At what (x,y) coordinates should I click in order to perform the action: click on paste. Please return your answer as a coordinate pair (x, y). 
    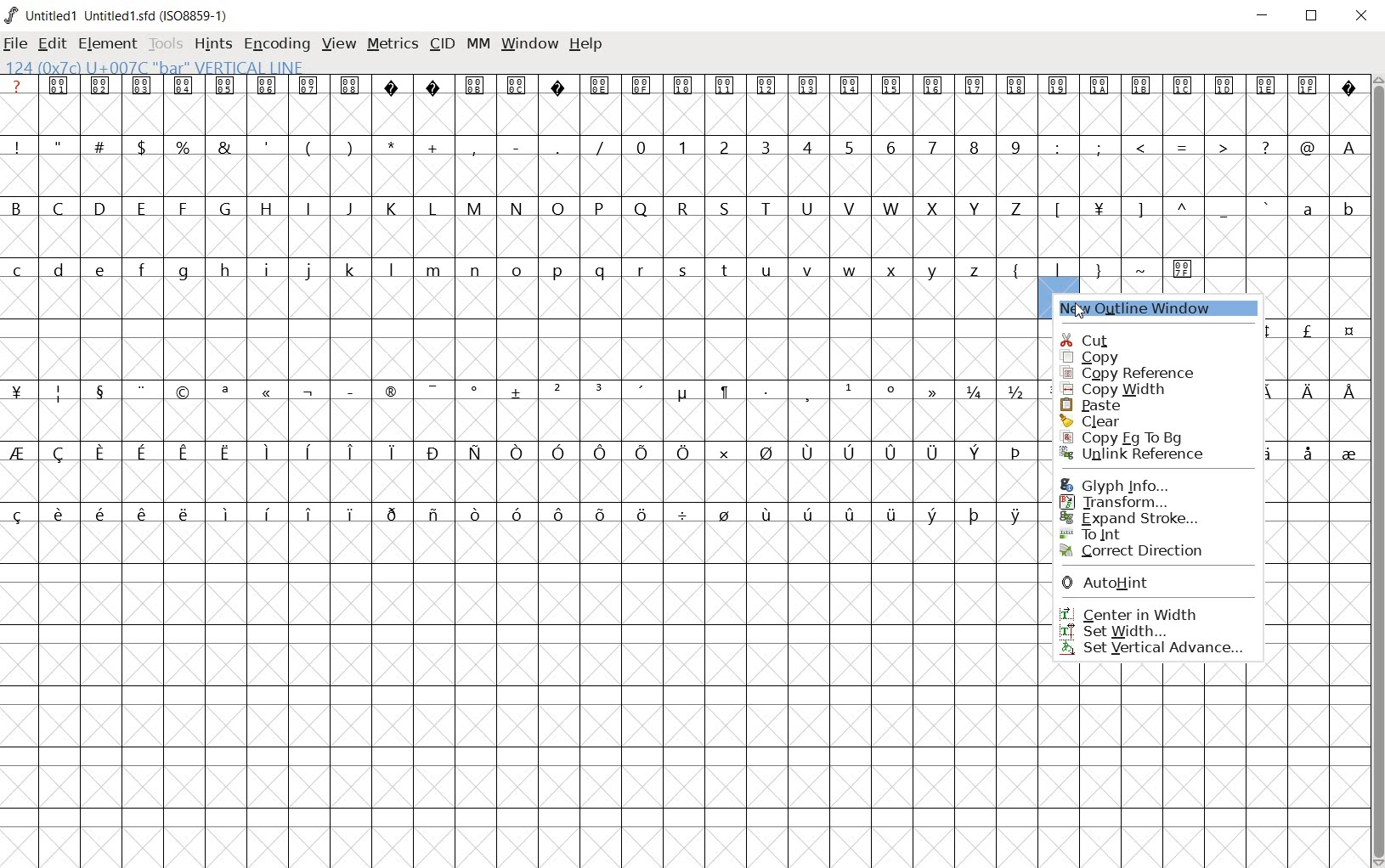
    Looking at the image, I should click on (1113, 403).